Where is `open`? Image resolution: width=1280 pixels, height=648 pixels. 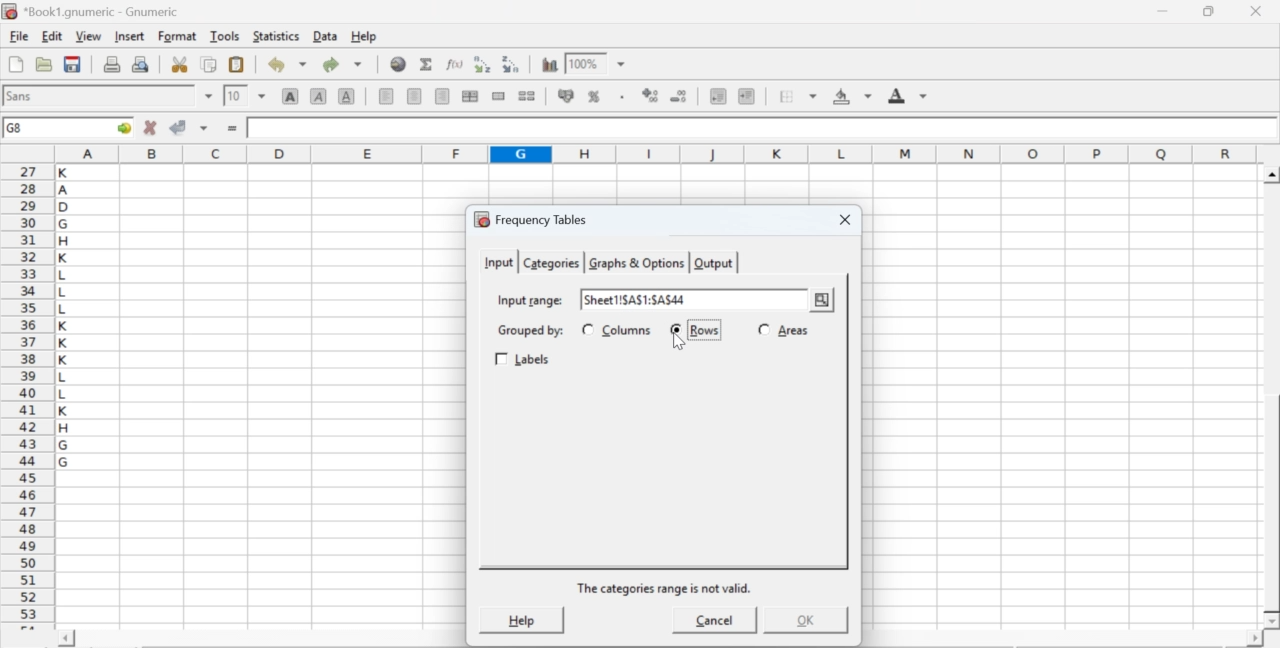 open is located at coordinates (42, 64).